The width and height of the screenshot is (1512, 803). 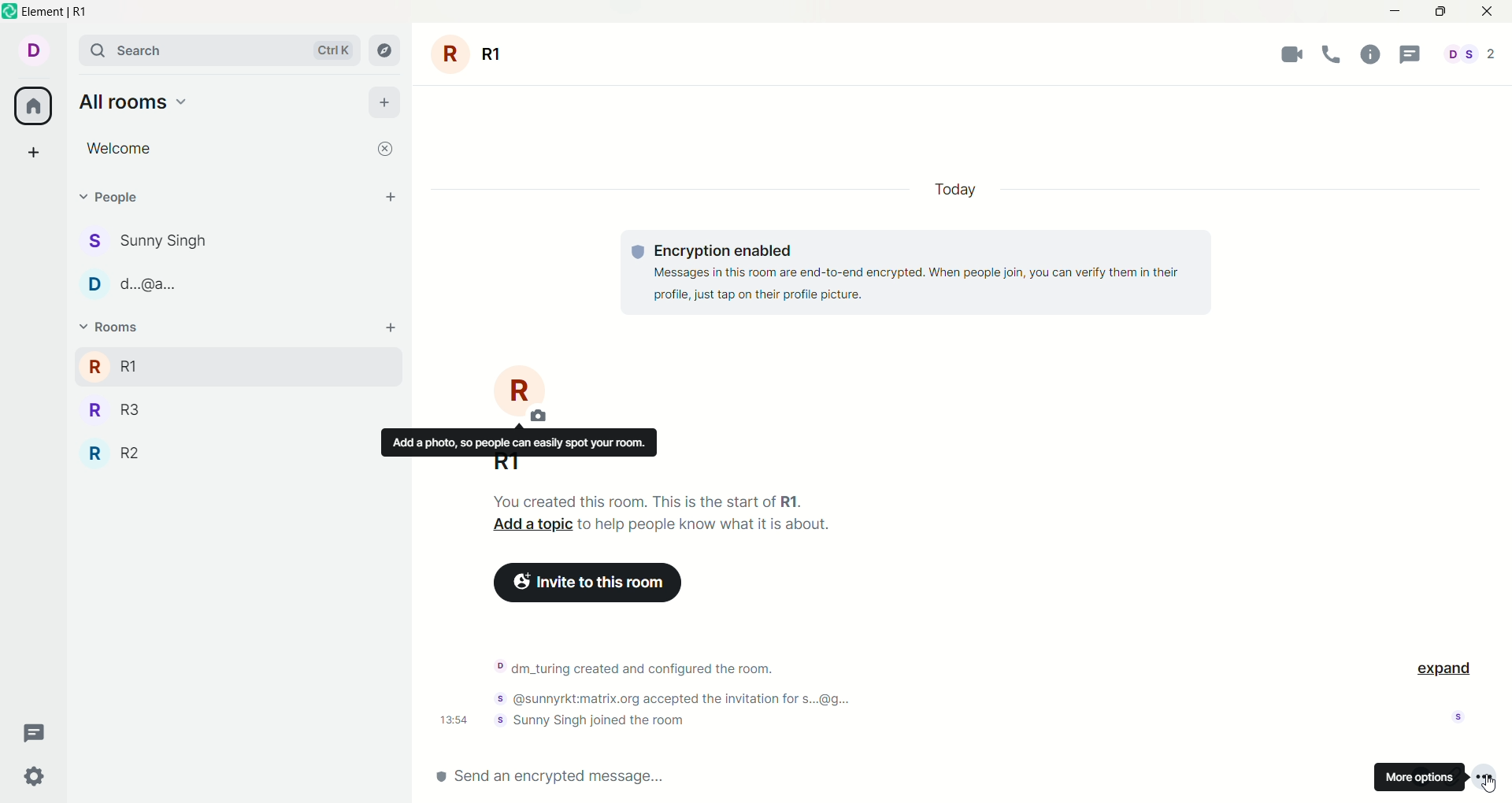 What do you see at coordinates (1440, 12) in the screenshot?
I see `maximize` at bounding box center [1440, 12].